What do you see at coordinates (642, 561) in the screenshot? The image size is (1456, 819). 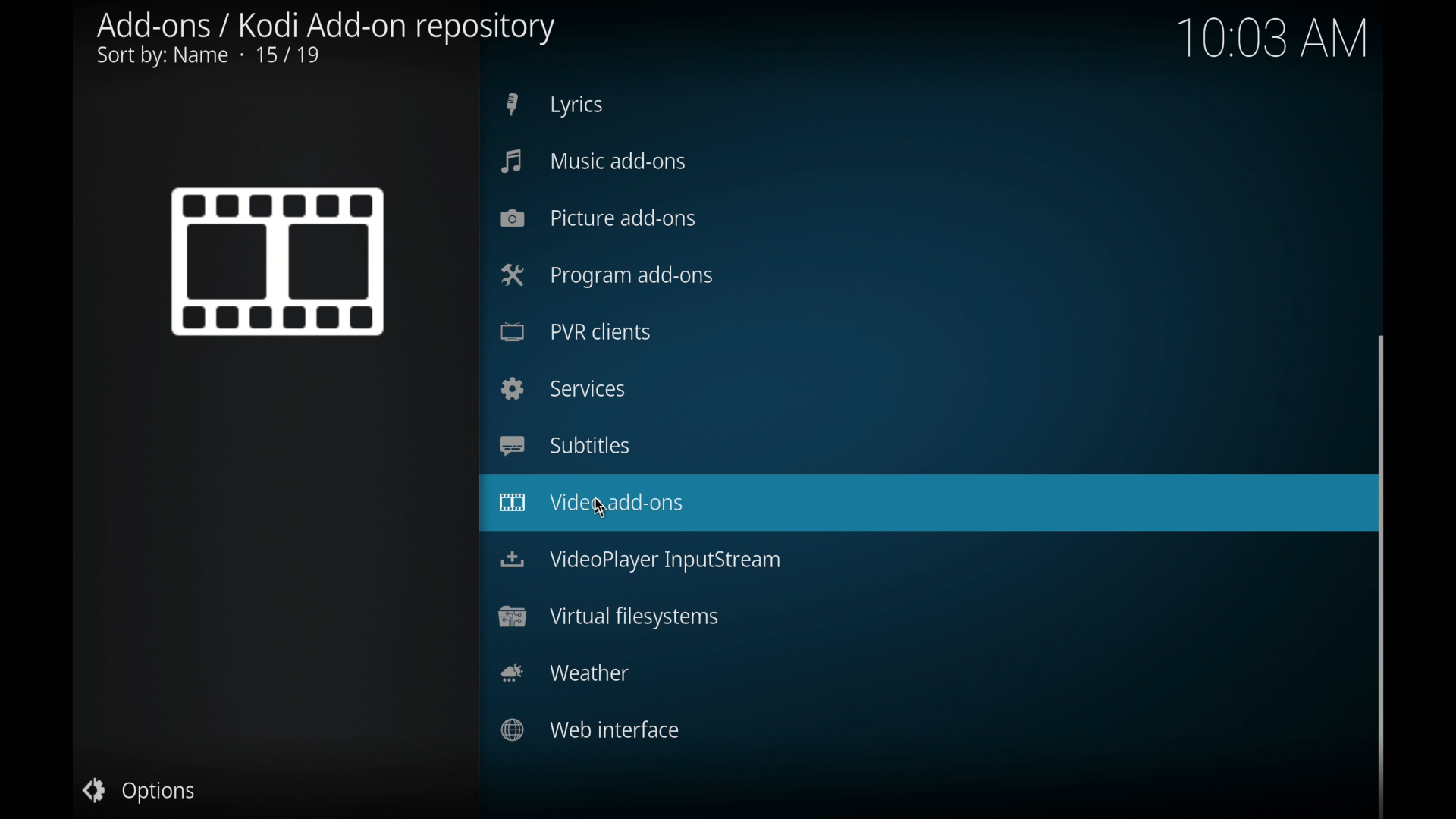 I see `video  player ` at bounding box center [642, 561].